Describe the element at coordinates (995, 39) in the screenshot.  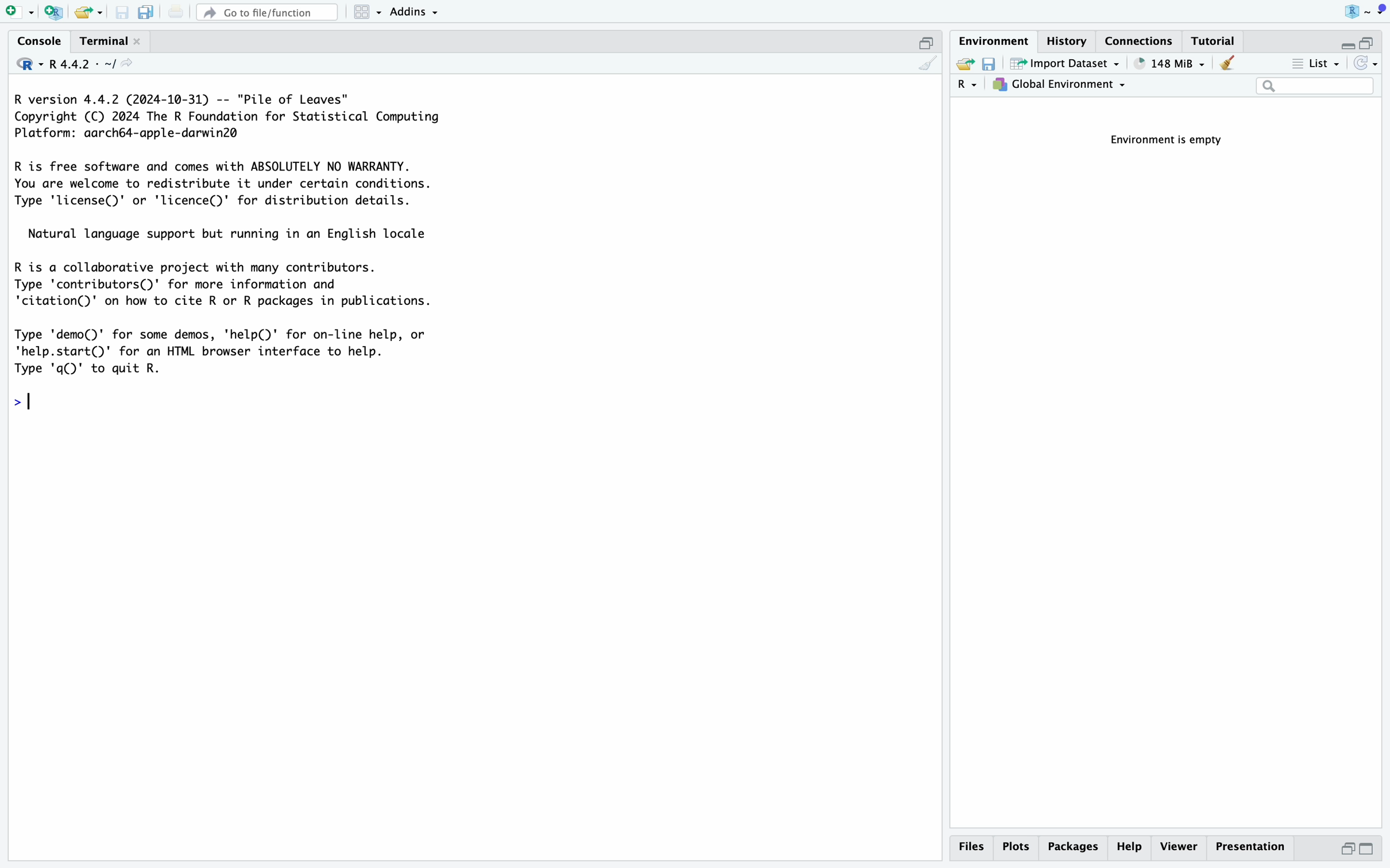
I see `environment` at that location.